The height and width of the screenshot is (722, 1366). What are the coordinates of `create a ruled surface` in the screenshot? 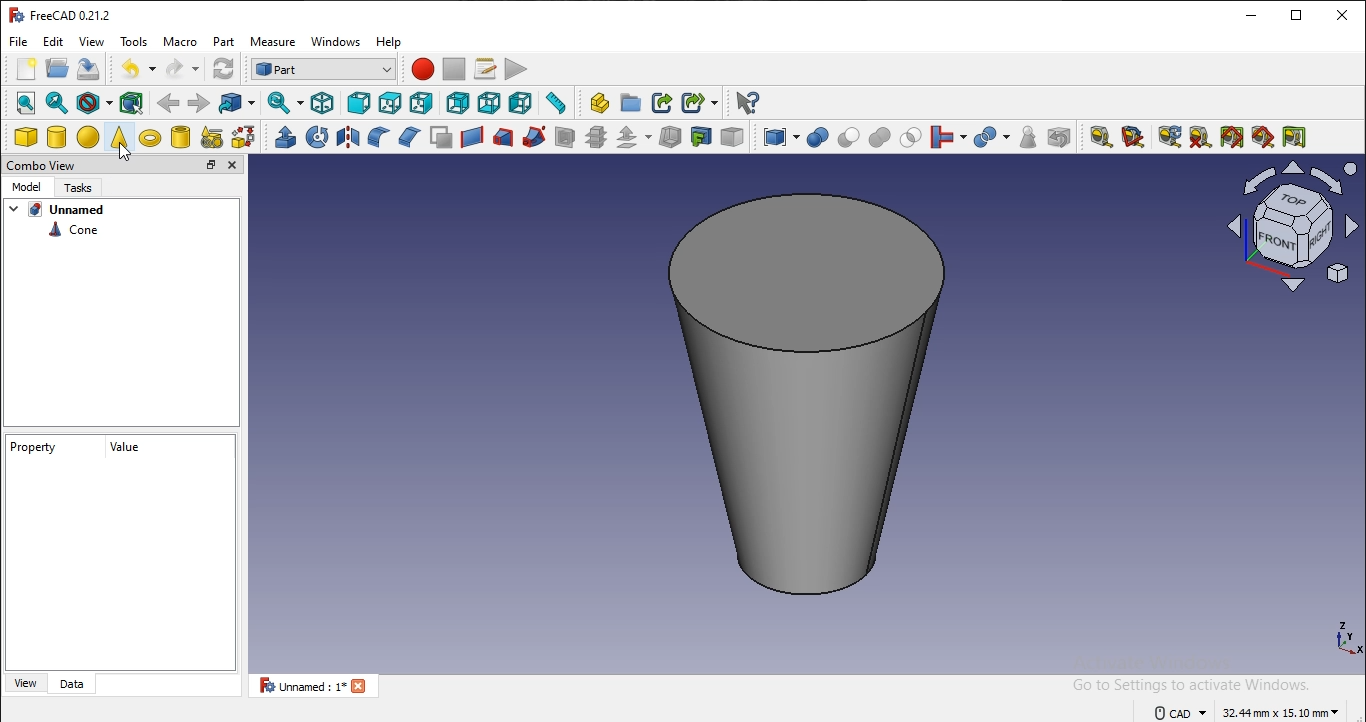 It's located at (470, 137).